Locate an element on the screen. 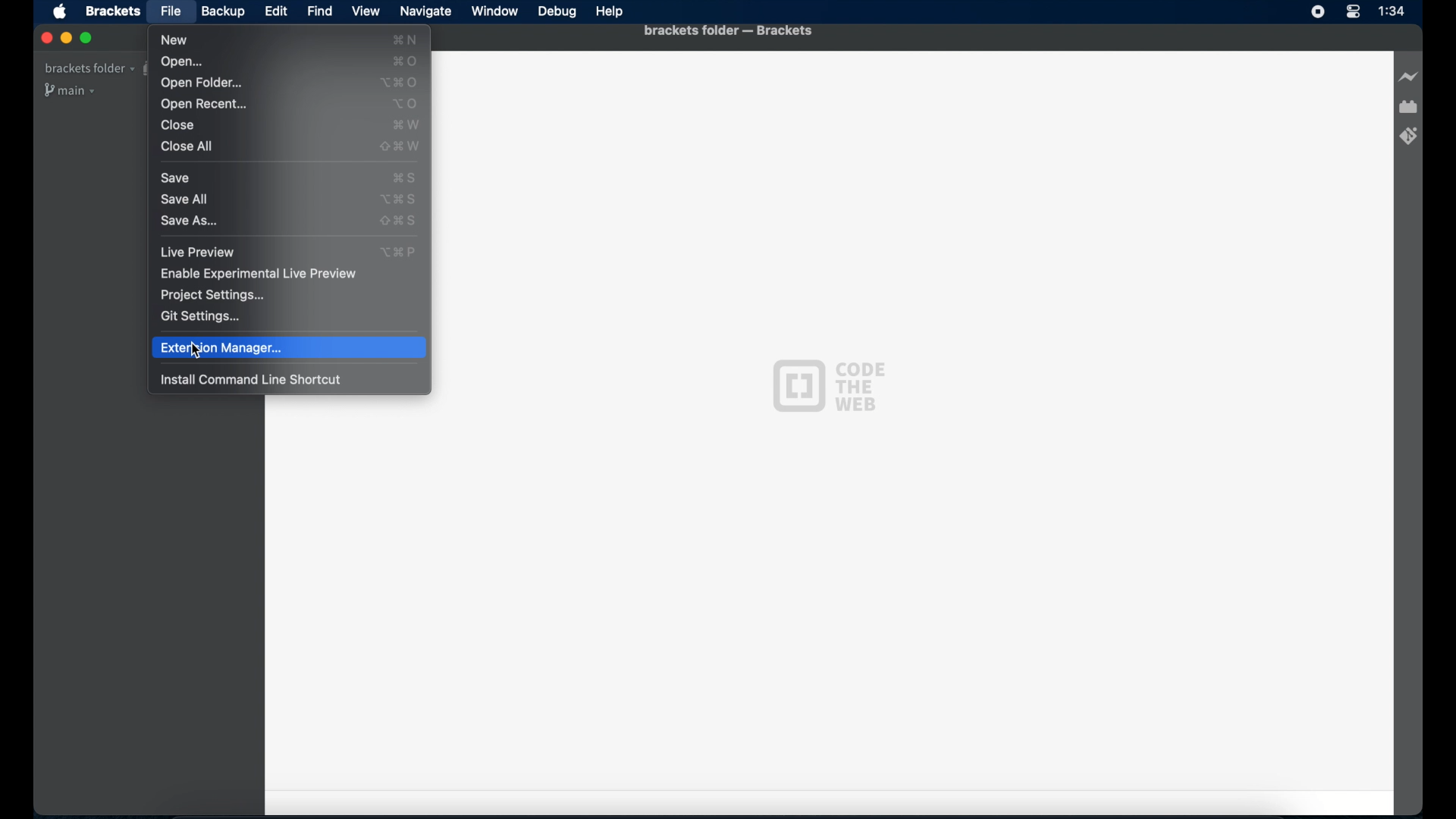  Window is located at coordinates (495, 11).